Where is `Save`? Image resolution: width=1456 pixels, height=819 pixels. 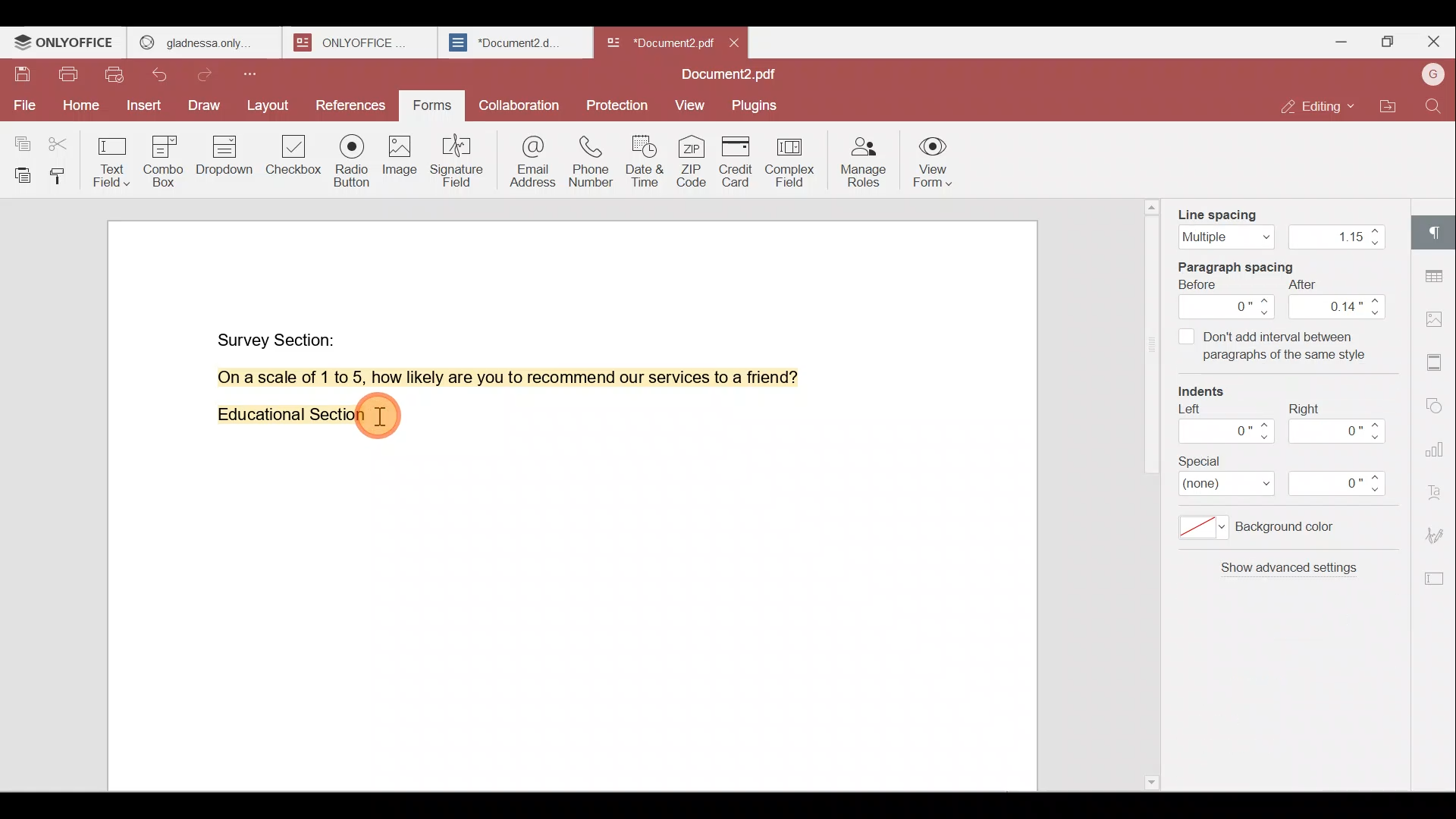 Save is located at coordinates (22, 78).